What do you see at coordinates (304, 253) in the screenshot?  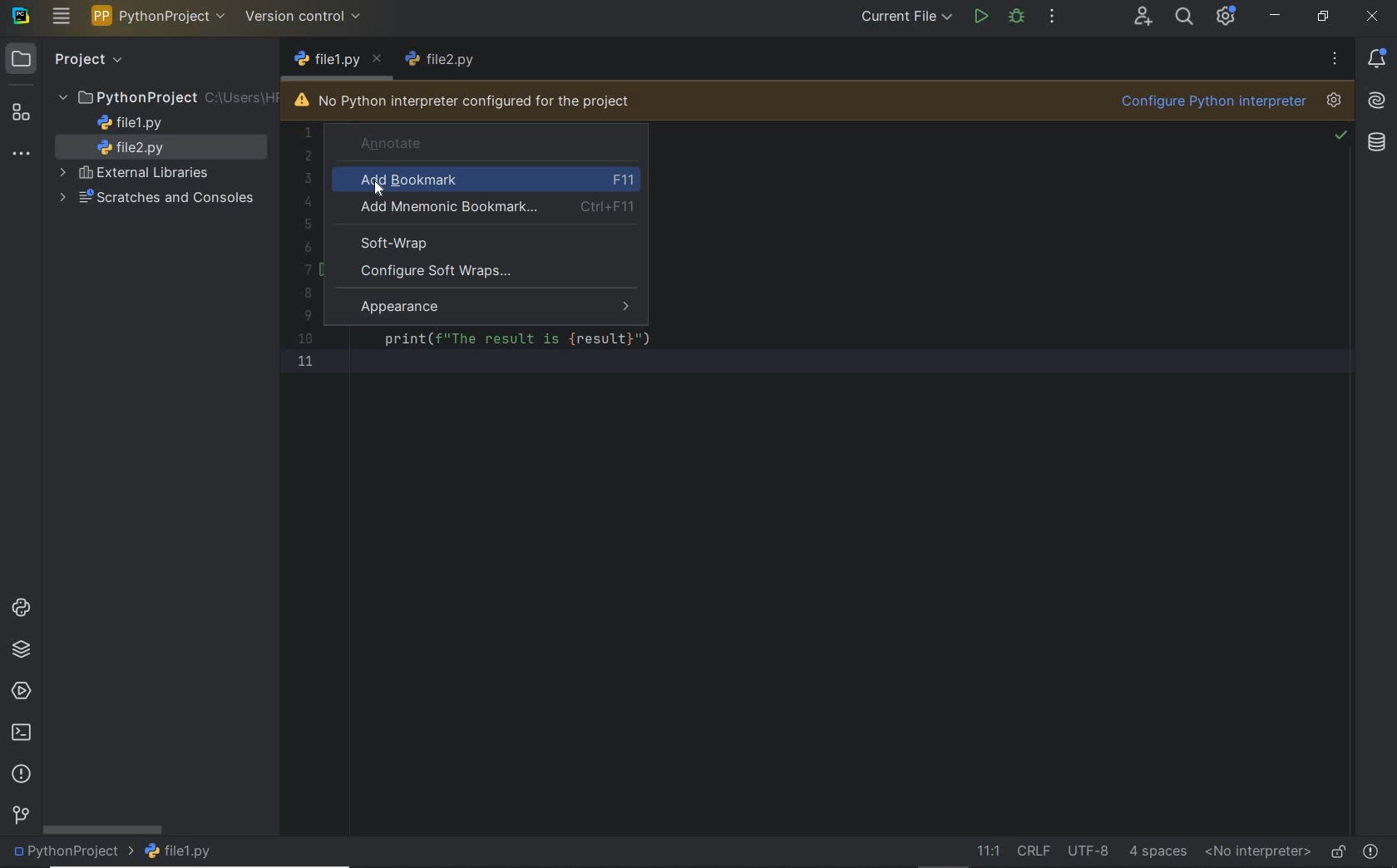 I see `Numbers` at bounding box center [304, 253].